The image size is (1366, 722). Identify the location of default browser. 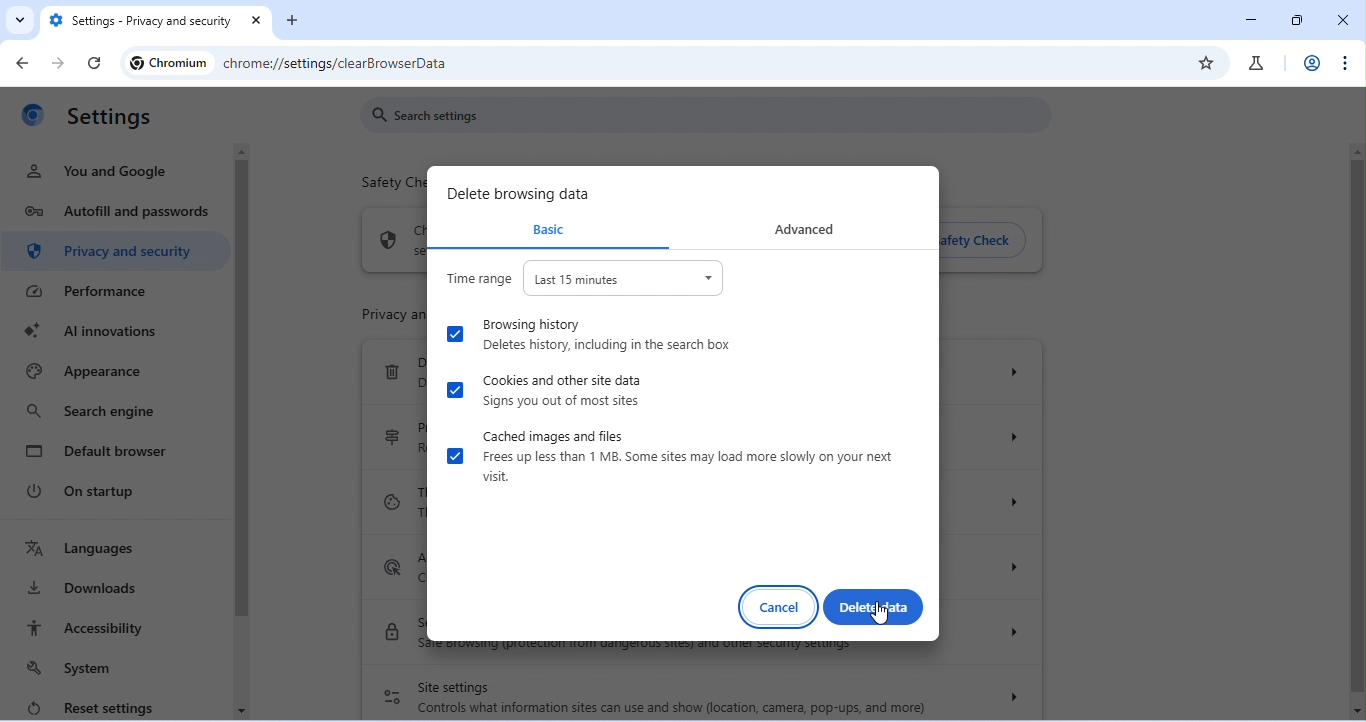
(100, 450).